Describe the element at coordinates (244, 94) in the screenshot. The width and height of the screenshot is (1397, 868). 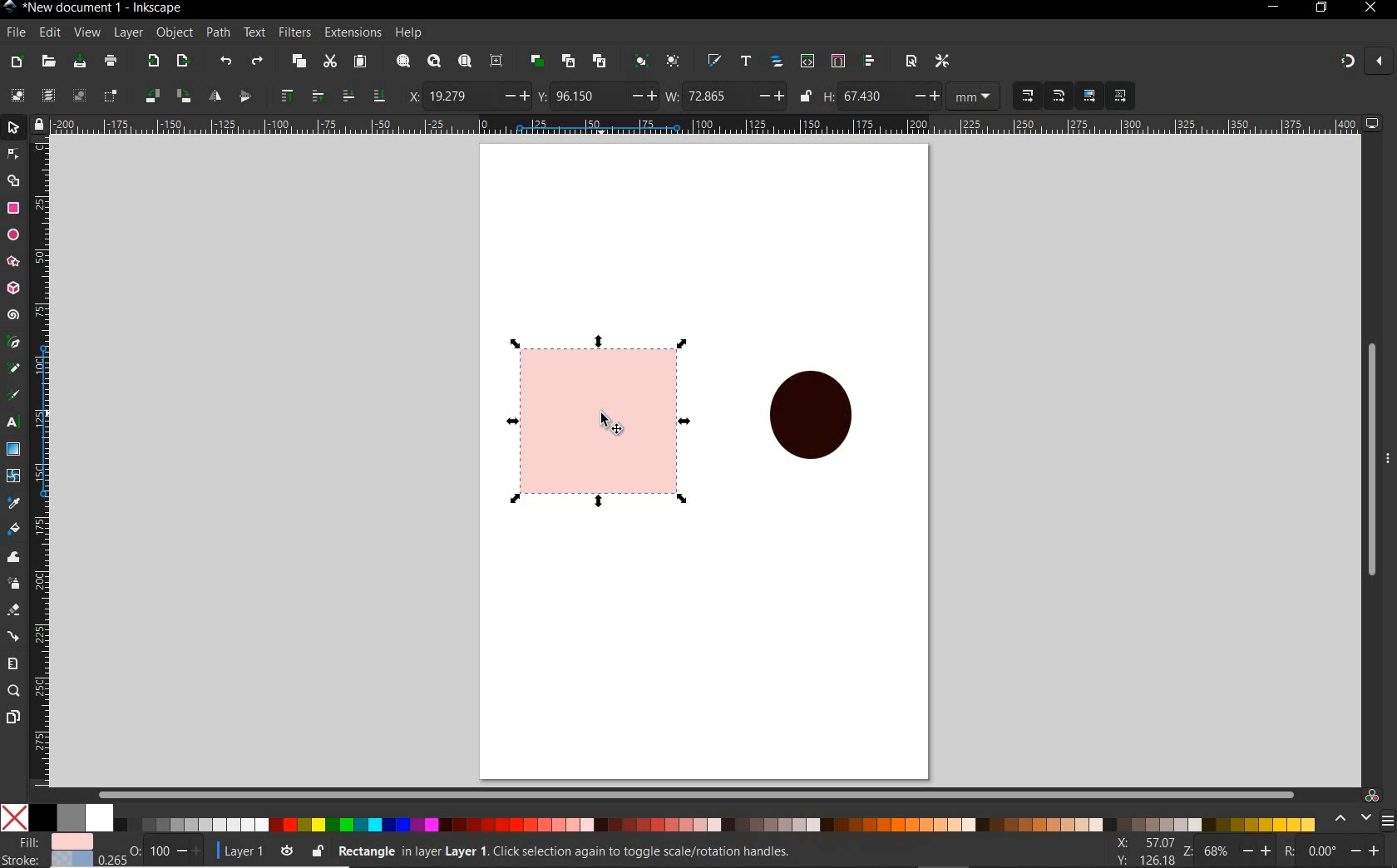
I see `object flip vertical` at that location.